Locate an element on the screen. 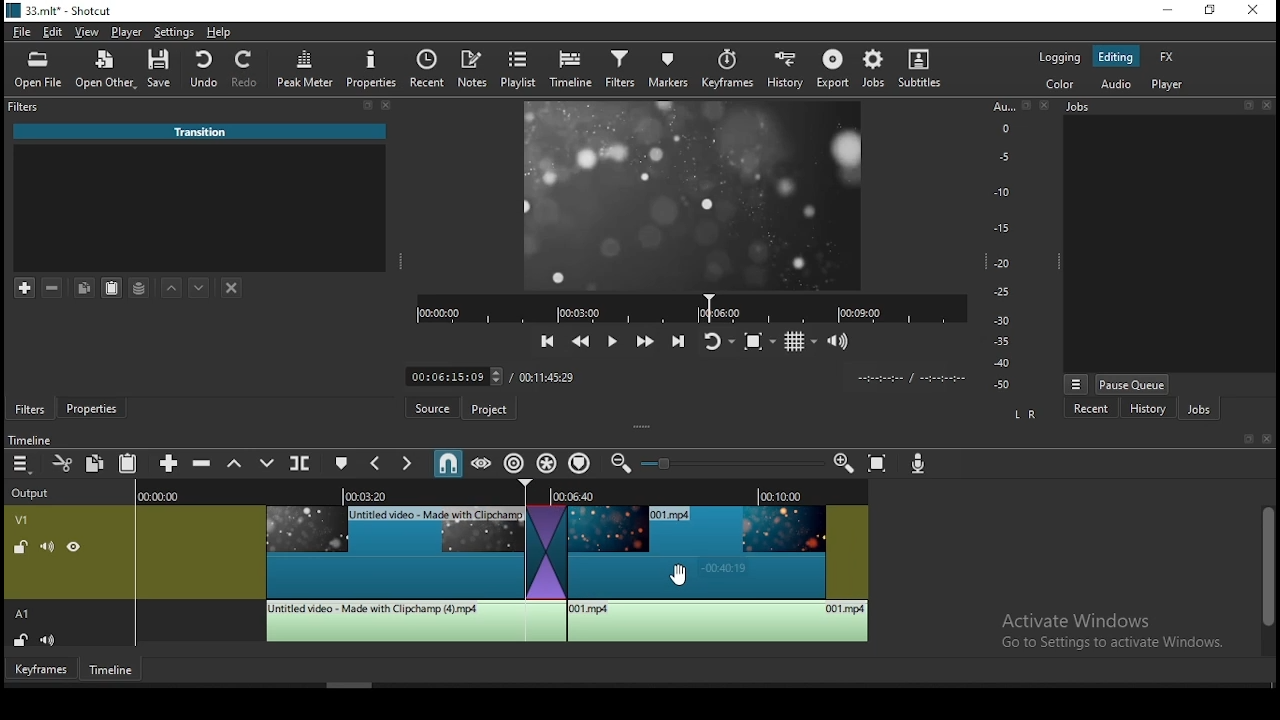 The height and width of the screenshot is (720, 1280). menu is located at coordinates (23, 465).